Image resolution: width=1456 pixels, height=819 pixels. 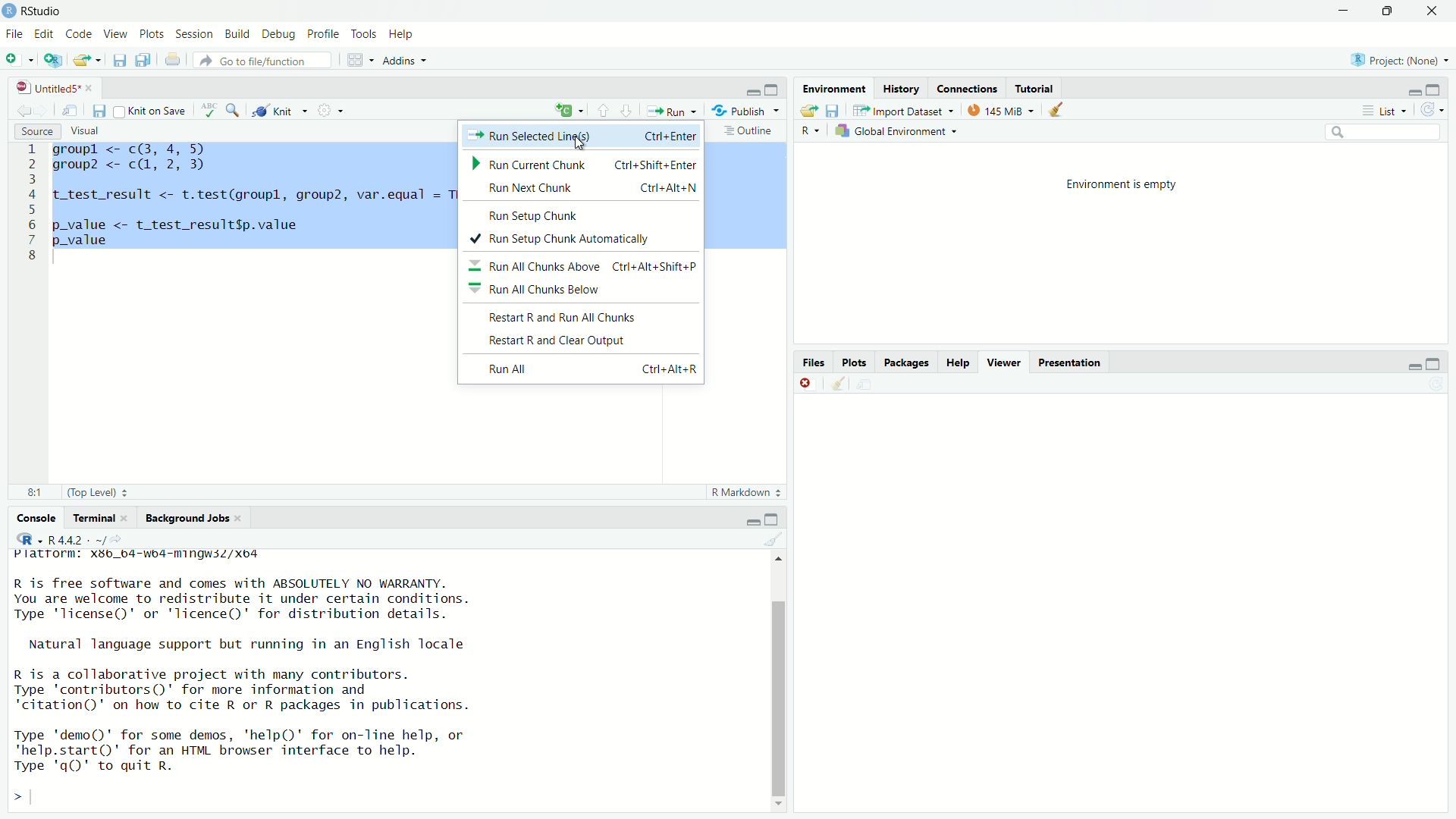 What do you see at coordinates (1379, 132) in the screenshot?
I see `search` at bounding box center [1379, 132].